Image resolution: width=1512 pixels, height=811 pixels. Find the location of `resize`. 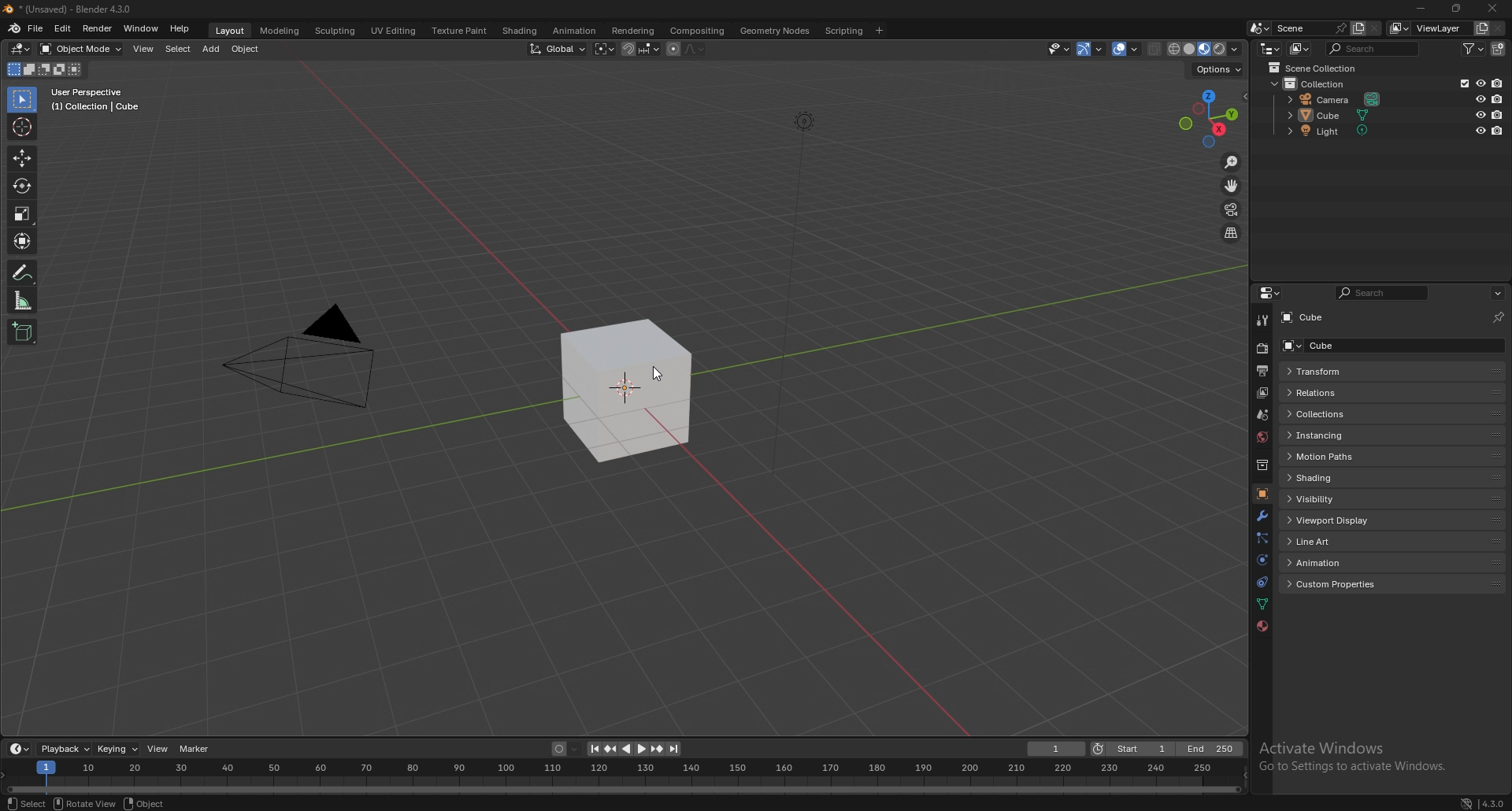

resize is located at coordinates (1455, 8).